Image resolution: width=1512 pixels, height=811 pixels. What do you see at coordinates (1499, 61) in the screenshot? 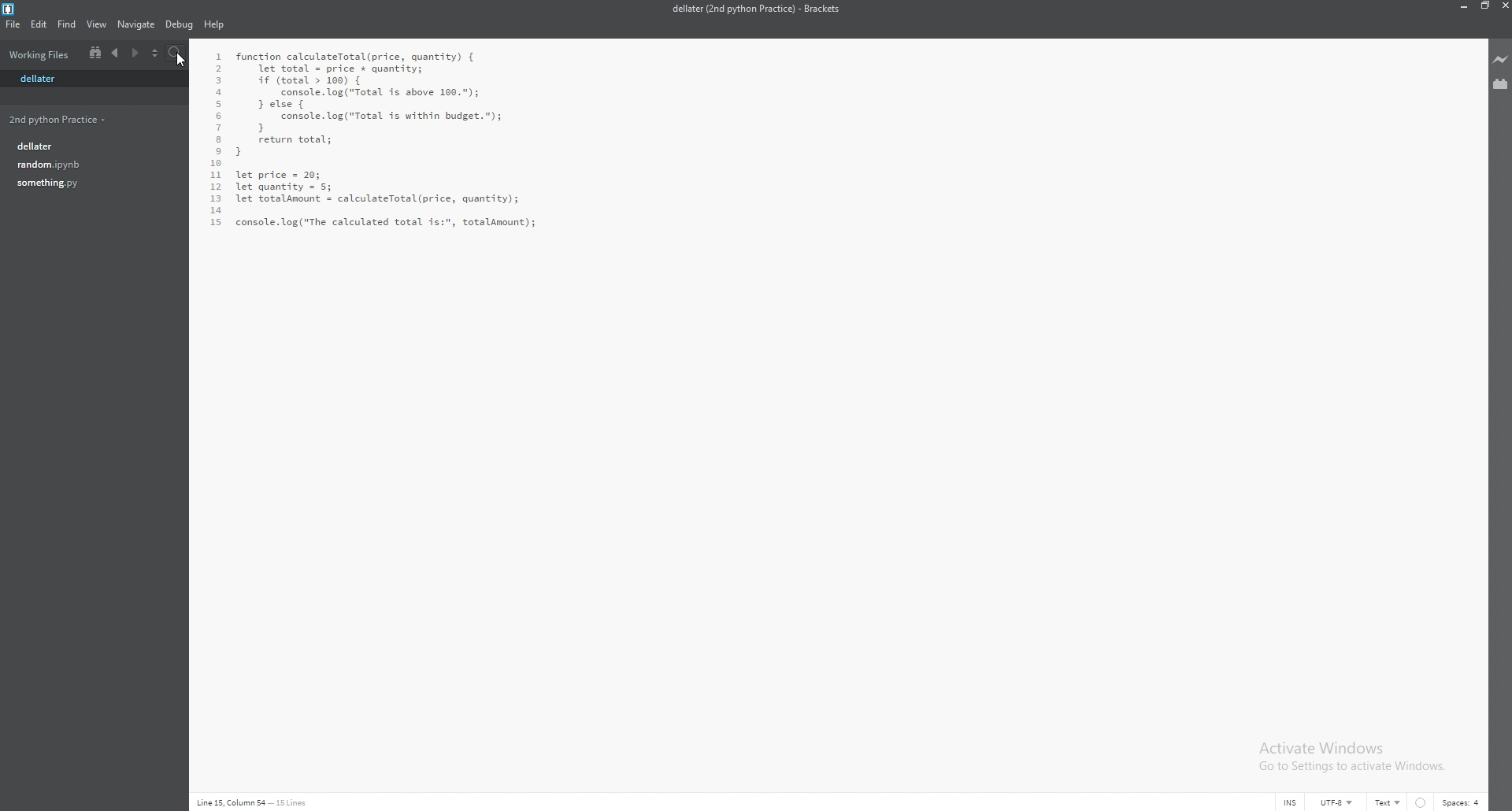
I see `live preview` at bounding box center [1499, 61].